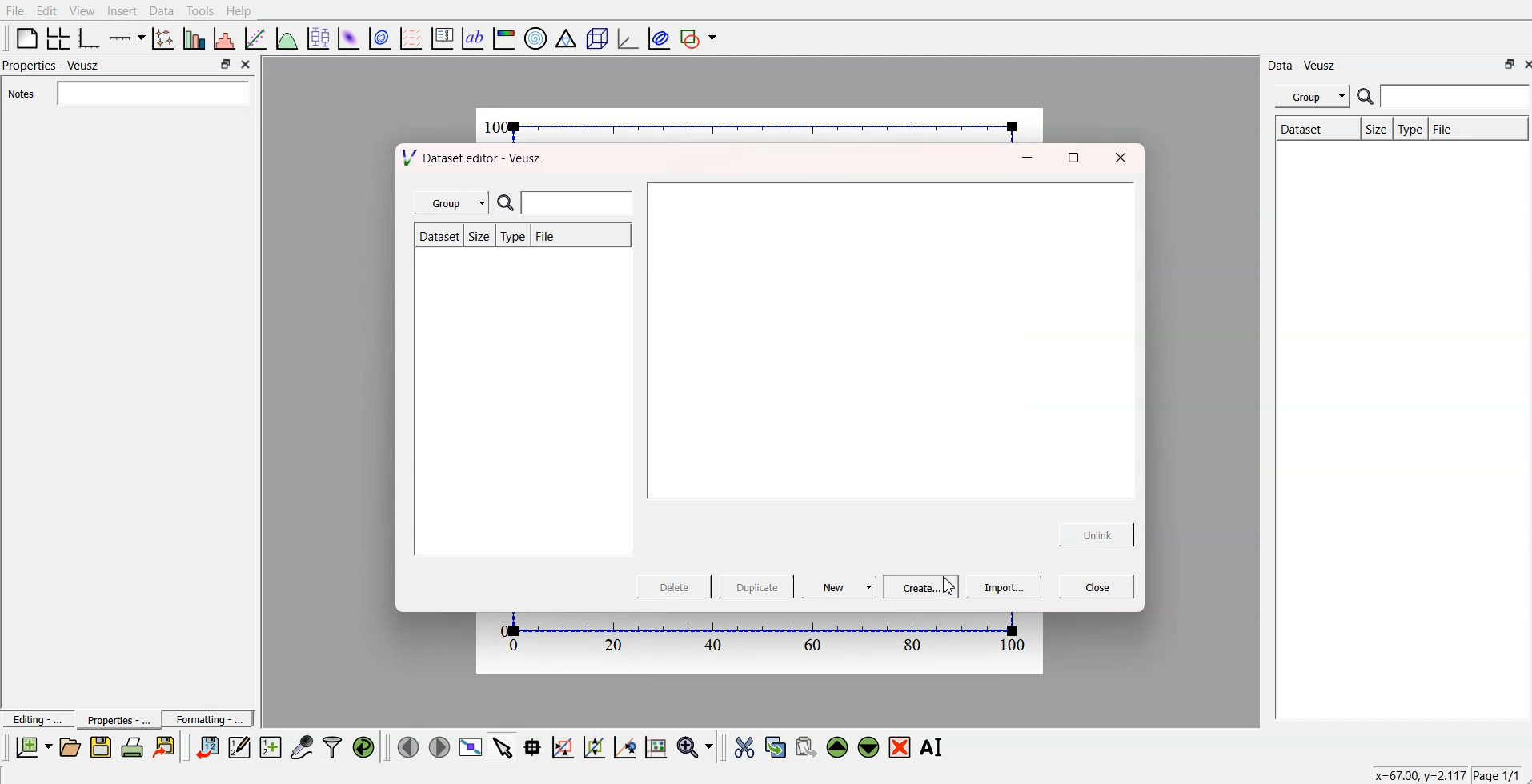 The width and height of the screenshot is (1532, 784). Describe the element at coordinates (932, 747) in the screenshot. I see `rename the selected widget` at that location.